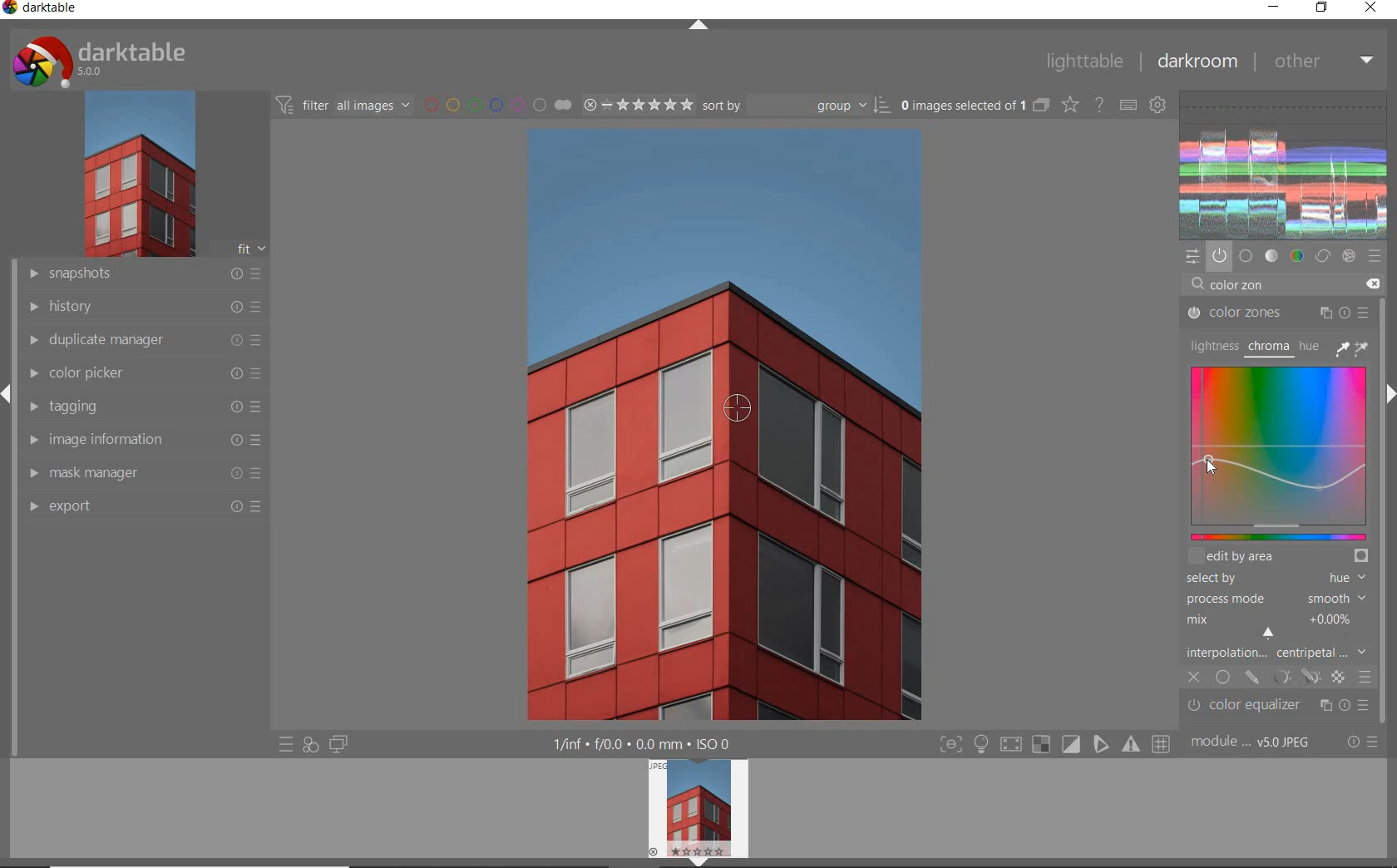 Image resolution: width=1397 pixels, height=868 pixels. What do you see at coordinates (1196, 61) in the screenshot?
I see `dakroom` at bounding box center [1196, 61].